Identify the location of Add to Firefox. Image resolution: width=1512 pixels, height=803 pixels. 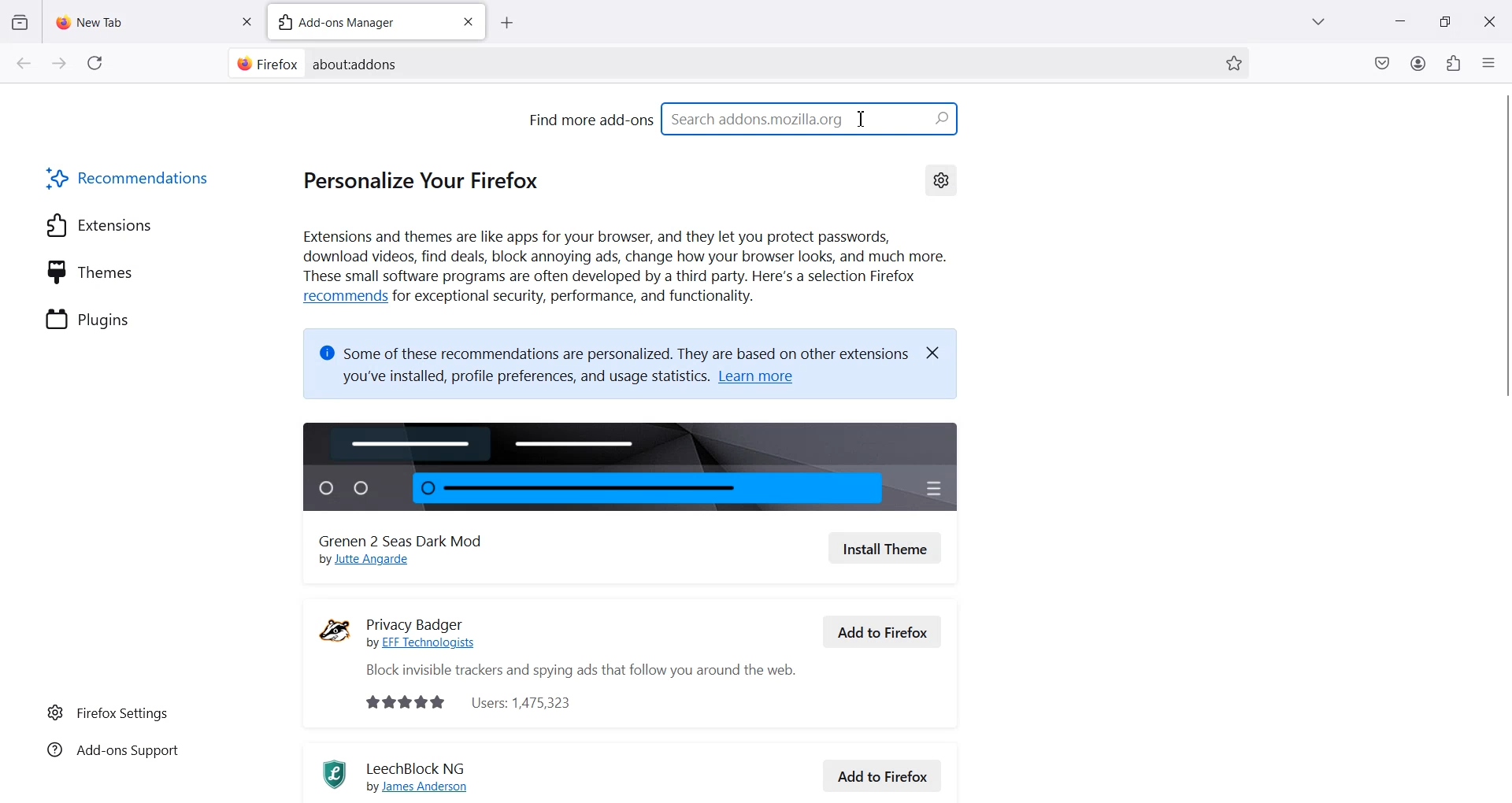
(884, 774).